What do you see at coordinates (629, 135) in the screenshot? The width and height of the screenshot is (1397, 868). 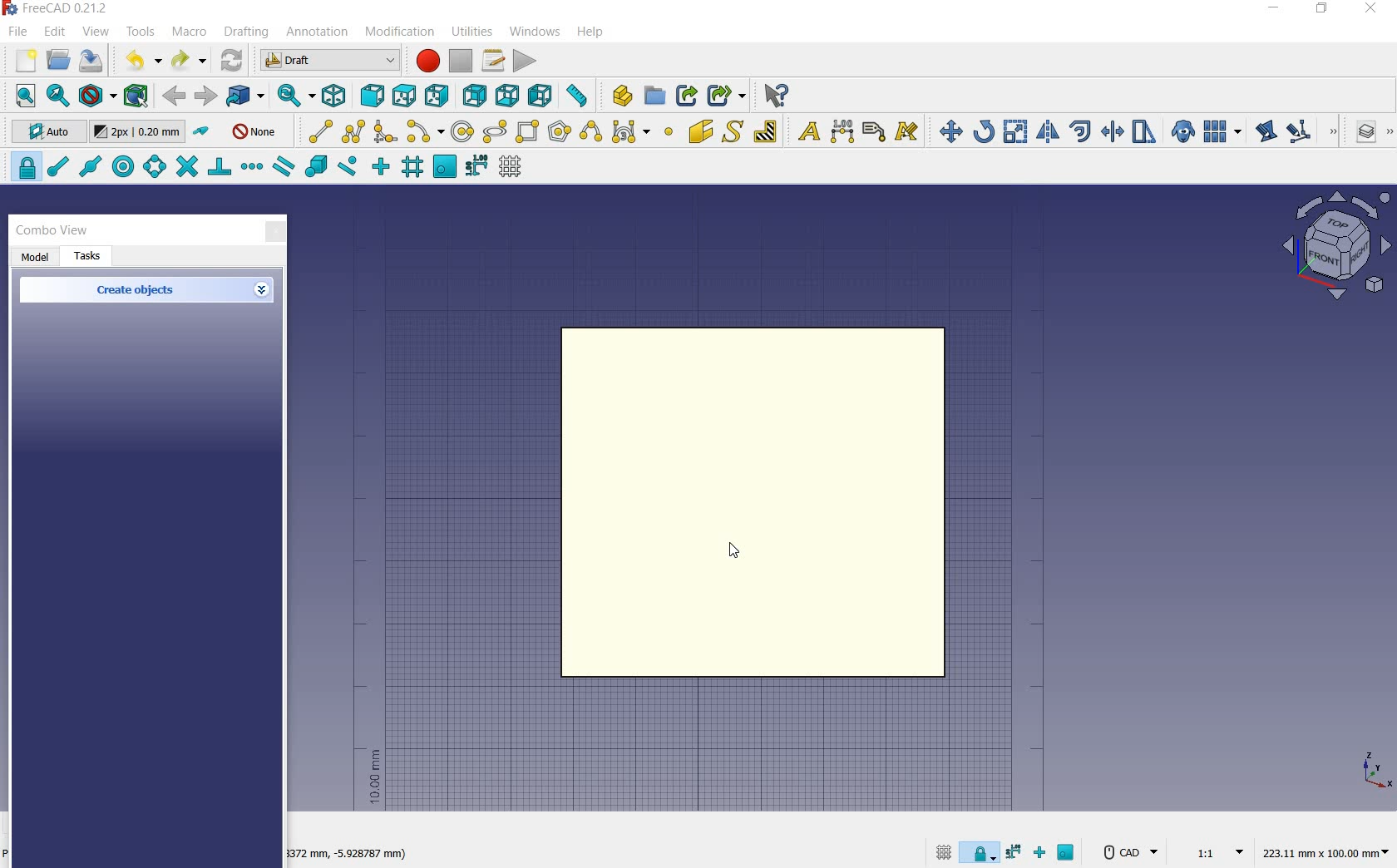 I see `Bezier tool` at bounding box center [629, 135].